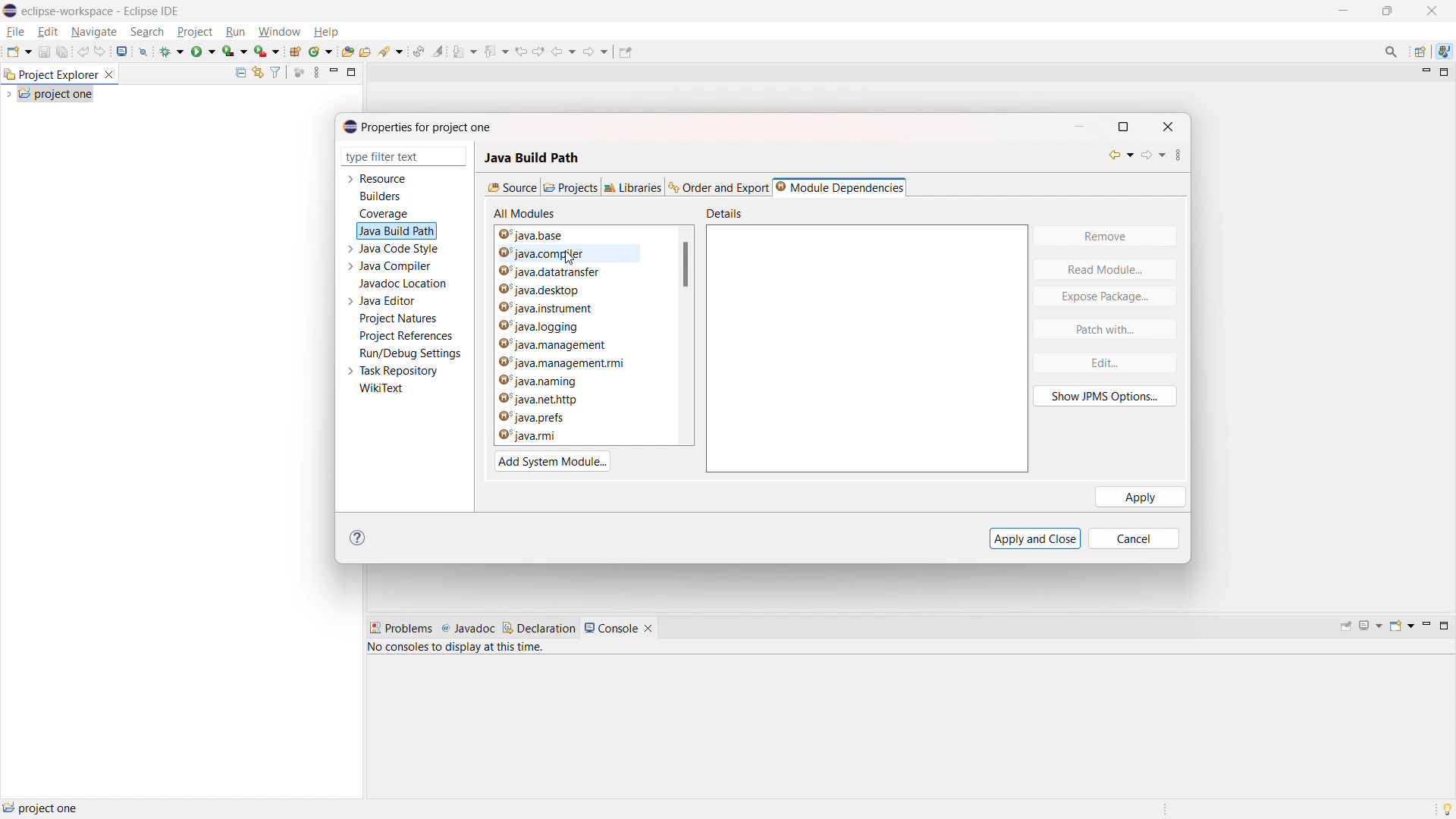 This screenshot has width=1456, height=819. I want to click on next annotation, so click(464, 52).